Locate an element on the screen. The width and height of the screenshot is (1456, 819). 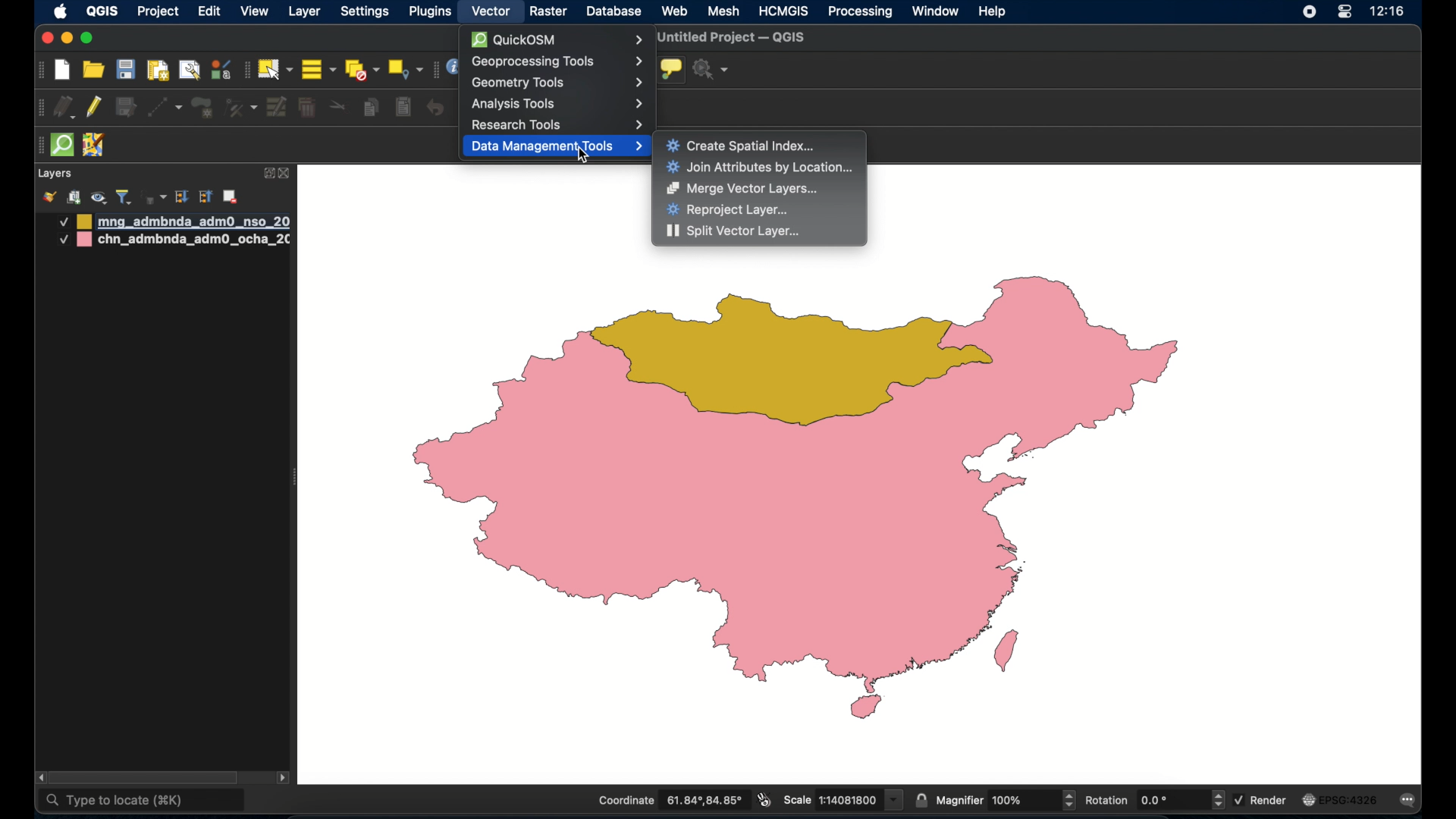
database is located at coordinates (614, 12).